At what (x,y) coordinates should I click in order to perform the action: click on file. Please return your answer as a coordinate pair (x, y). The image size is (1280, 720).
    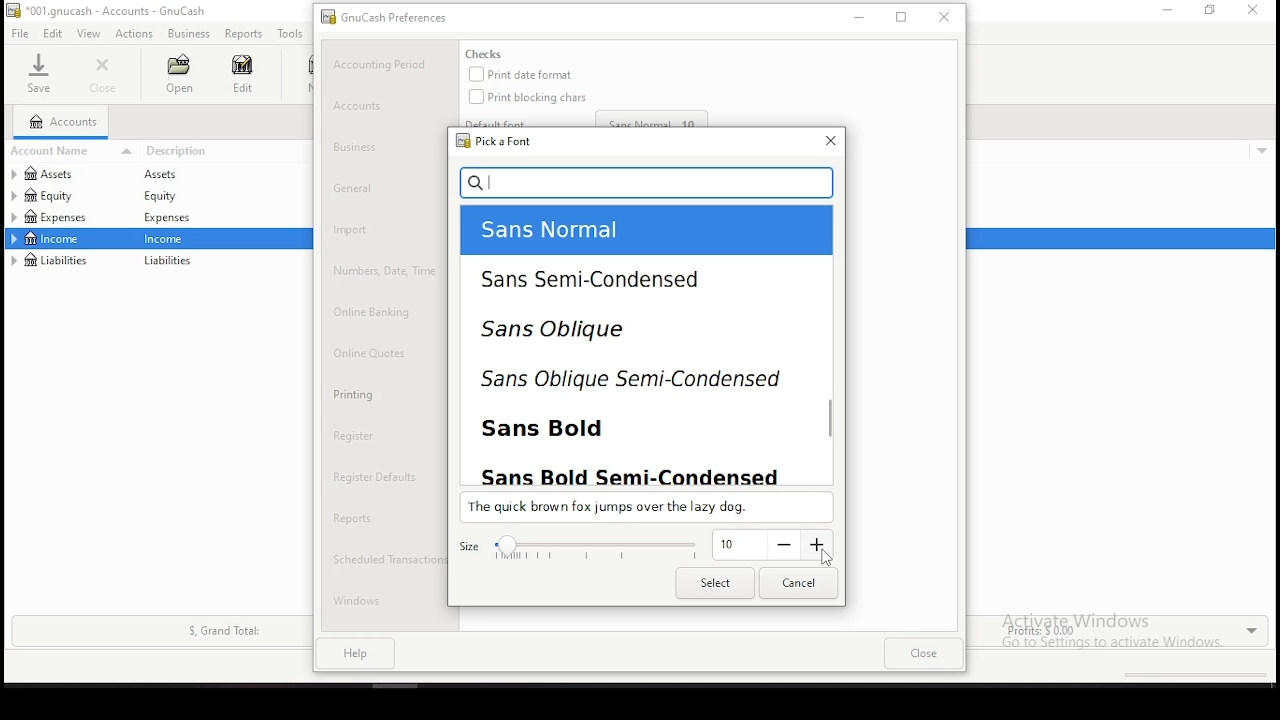
    Looking at the image, I should click on (19, 34).